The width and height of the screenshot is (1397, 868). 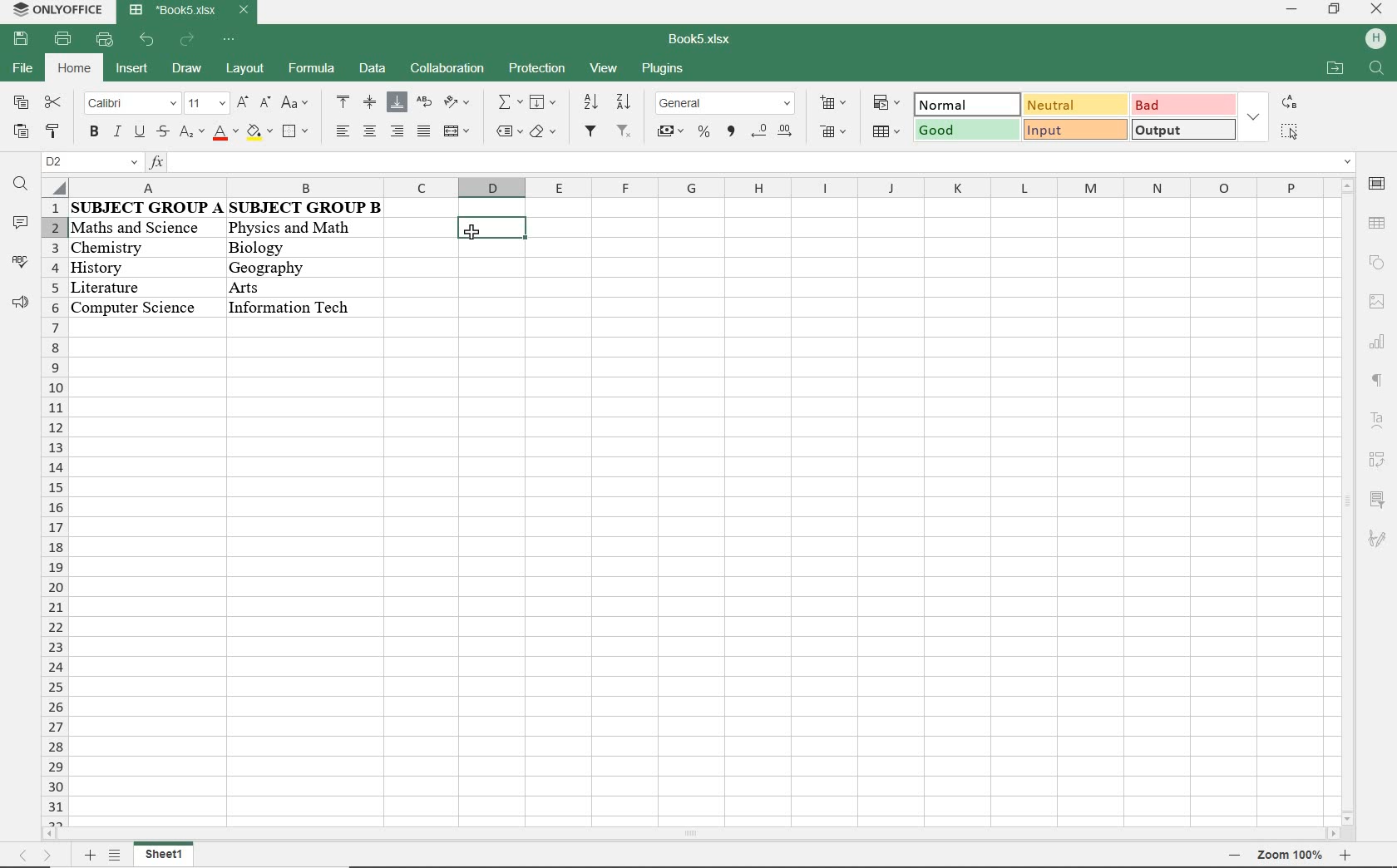 What do you see at coordinates (1378, 262) in the screenshot?
I see `shape` at bounding box center [1378, 262].